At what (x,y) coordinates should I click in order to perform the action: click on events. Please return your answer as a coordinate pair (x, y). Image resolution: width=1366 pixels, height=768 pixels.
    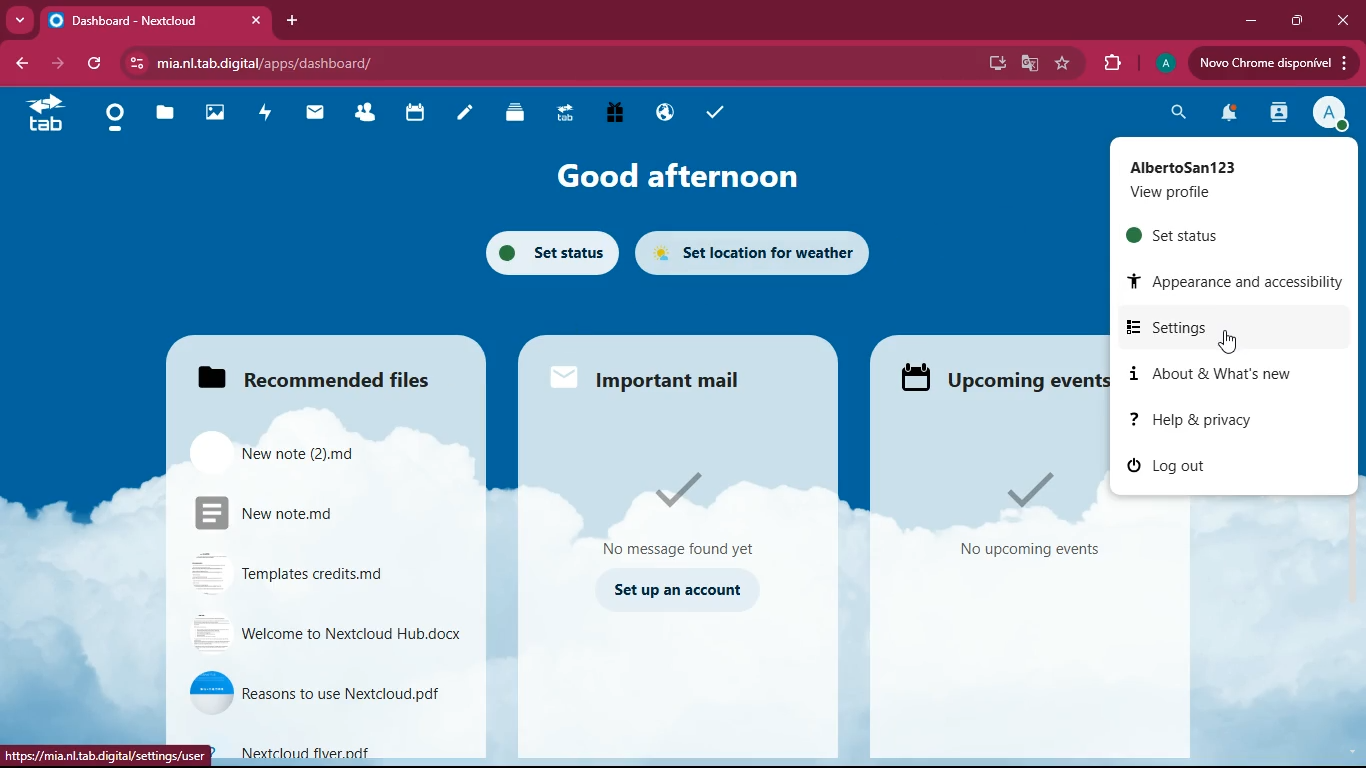
    Looking at the image, I should click on (1015, 516).